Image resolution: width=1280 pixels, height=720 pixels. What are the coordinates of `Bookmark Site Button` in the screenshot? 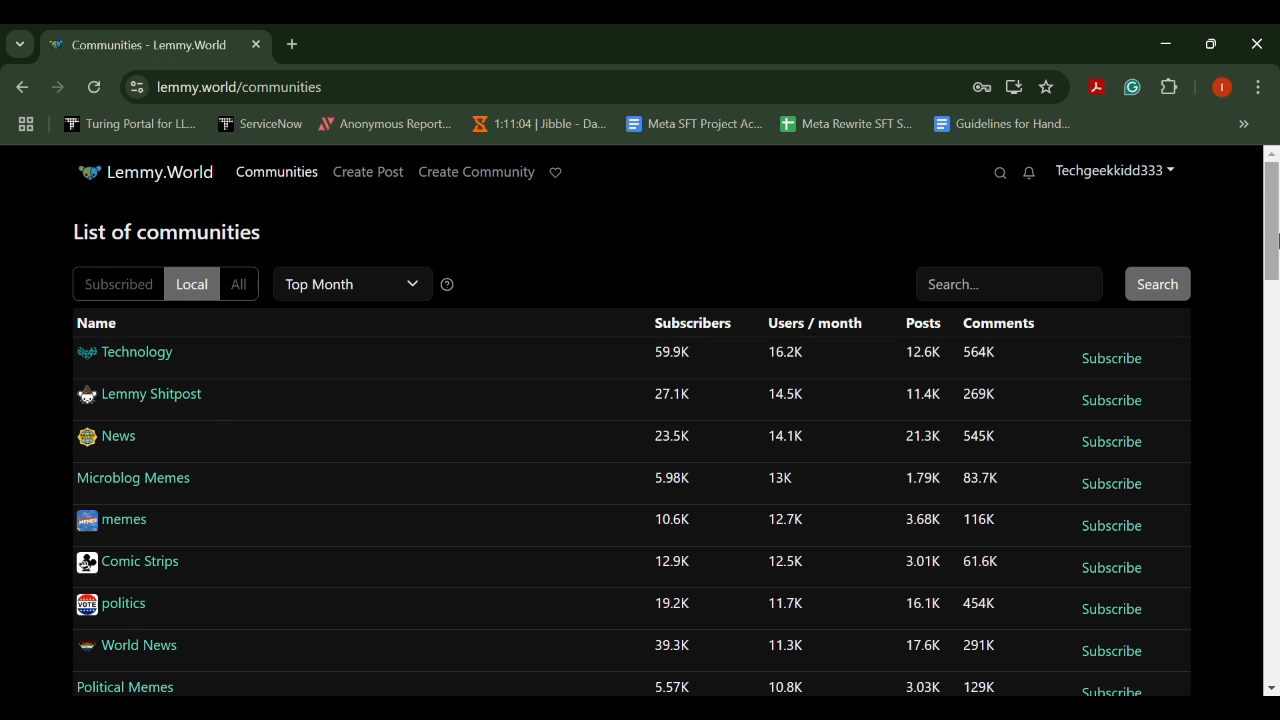 It's located at (1046, 88).